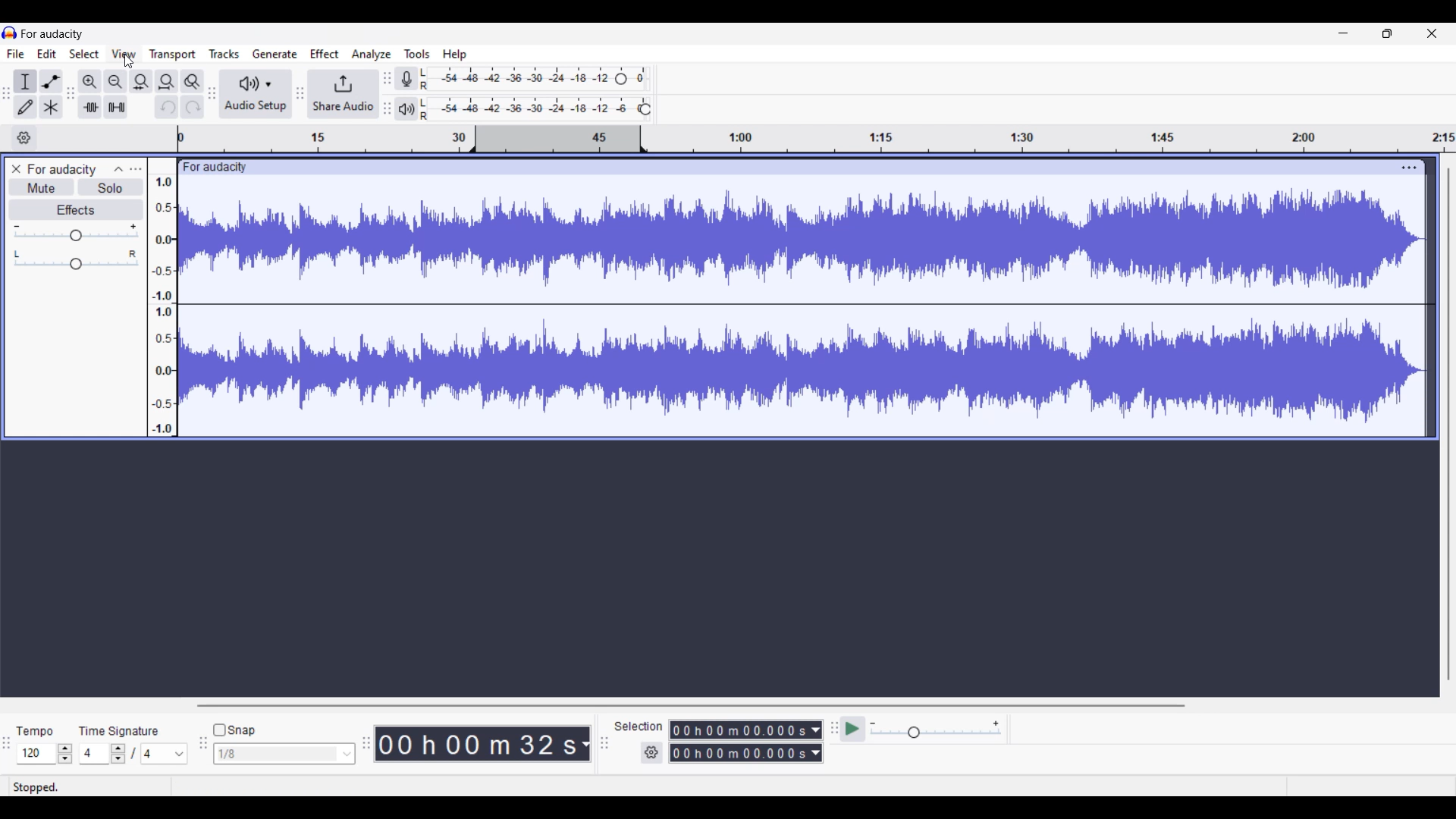 The height and width of the screenshot is (819, 1456). What do you see at coordinates (529, 109) in the screenshot?
I see `Playback level` at bounding box center [529, 109].